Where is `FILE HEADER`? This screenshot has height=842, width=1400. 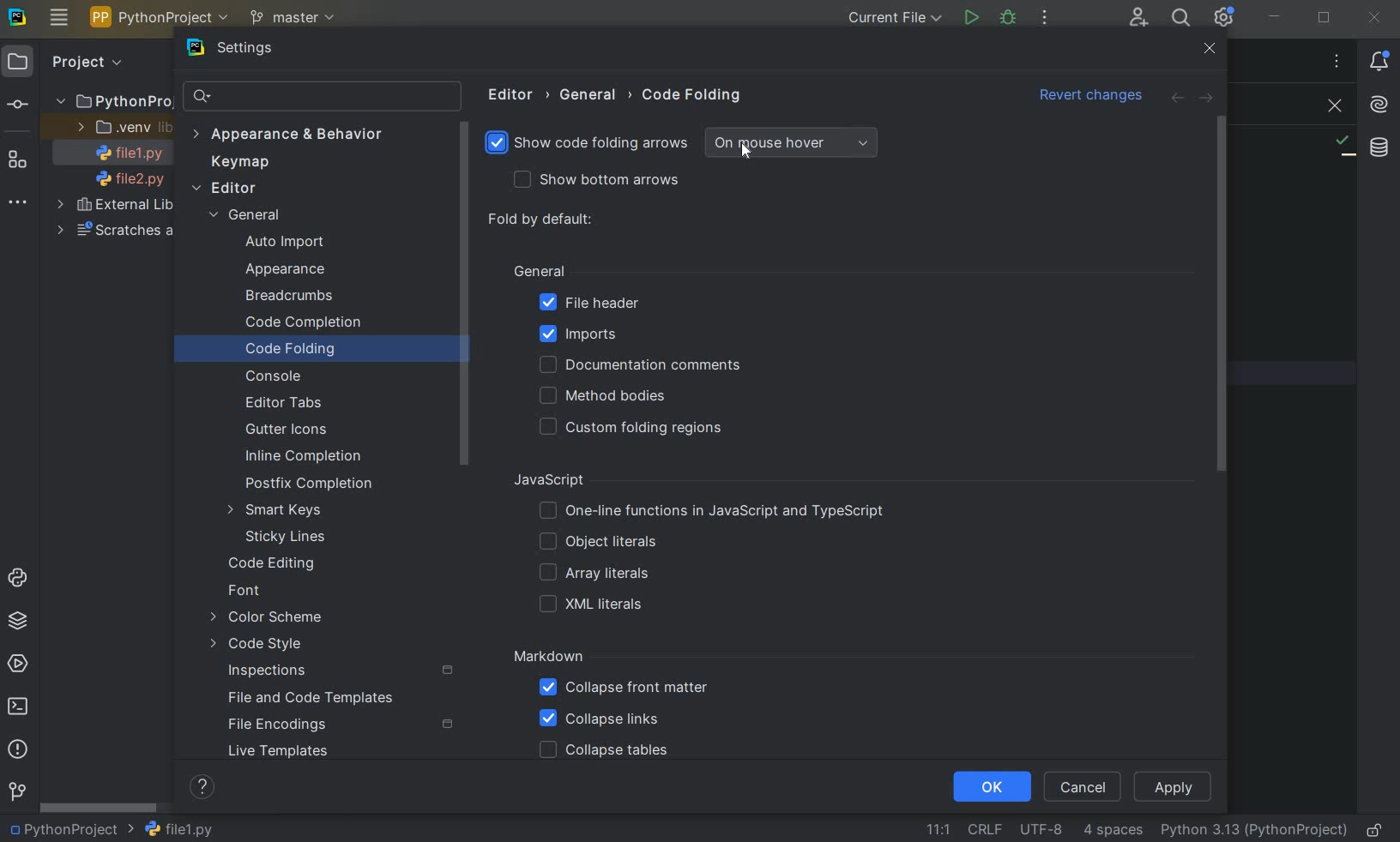 FILE HEADER is located at coordinates (588, 304).